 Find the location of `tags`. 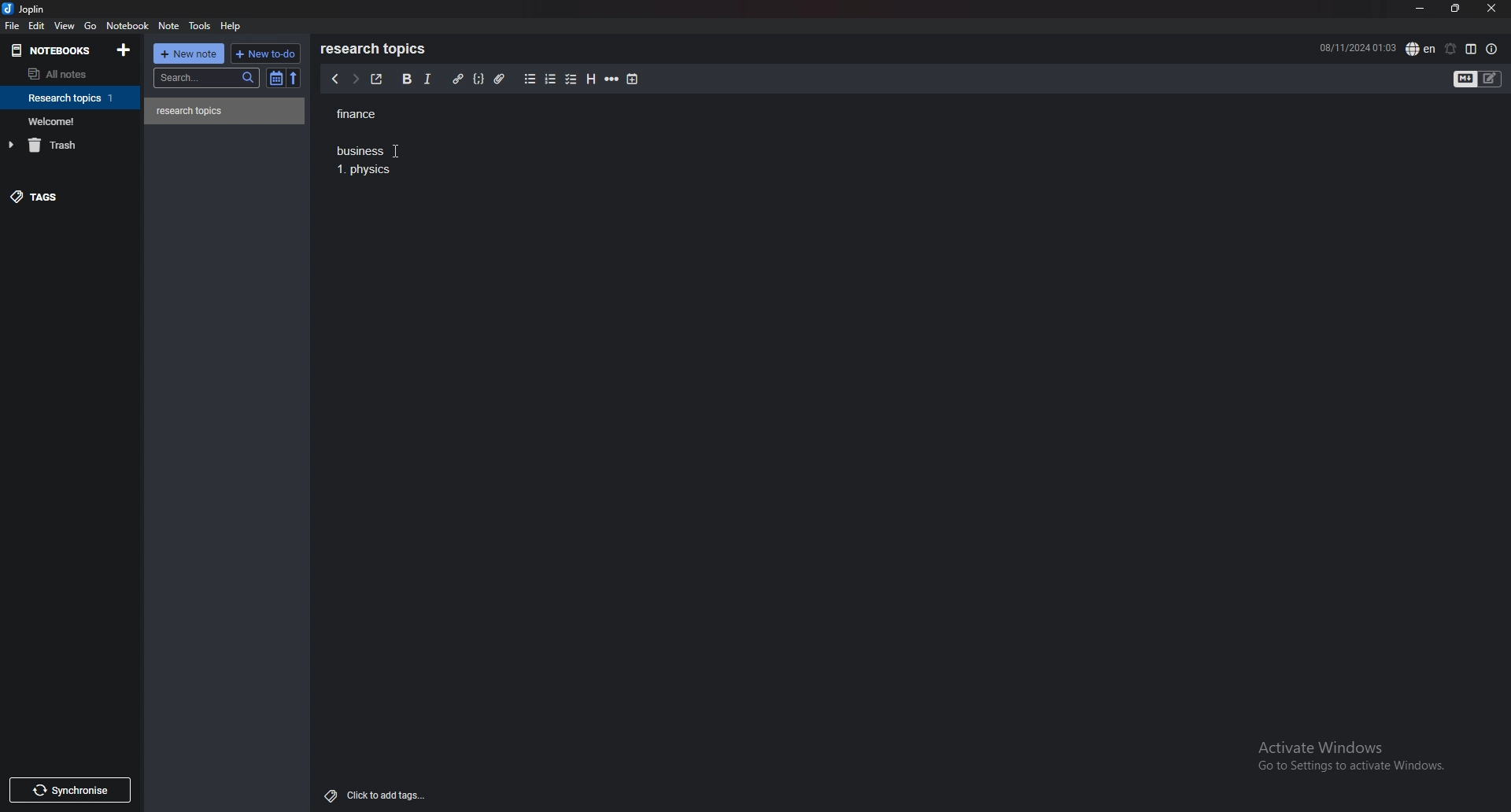

tags is located at coordinates (67, 200).